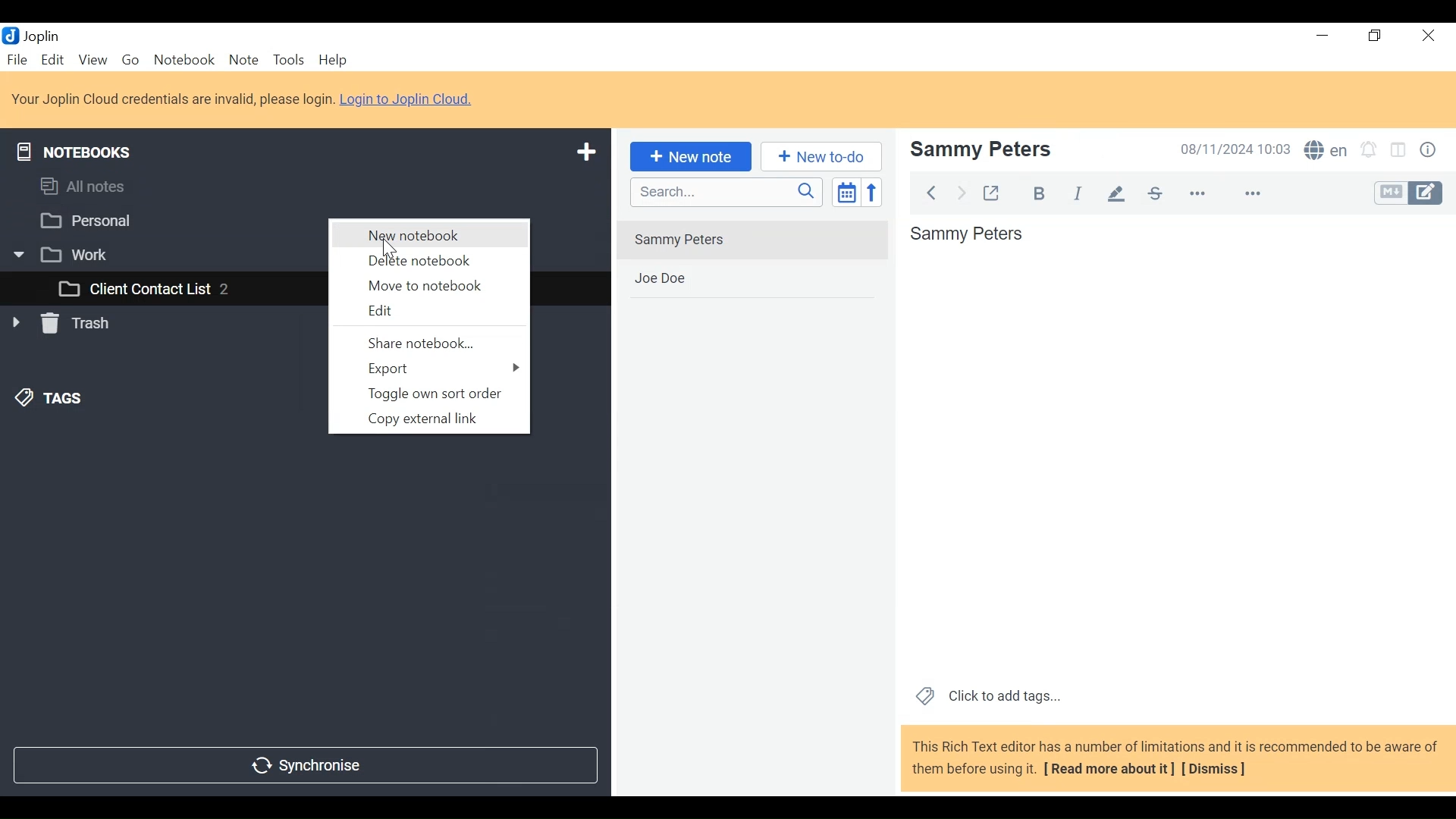 The height and width of the screenshot is (819, 1456). What do you see at coordinates (755, 281) in the screenshot?
I see `Joe Doe` at bounding box center [755, 281].